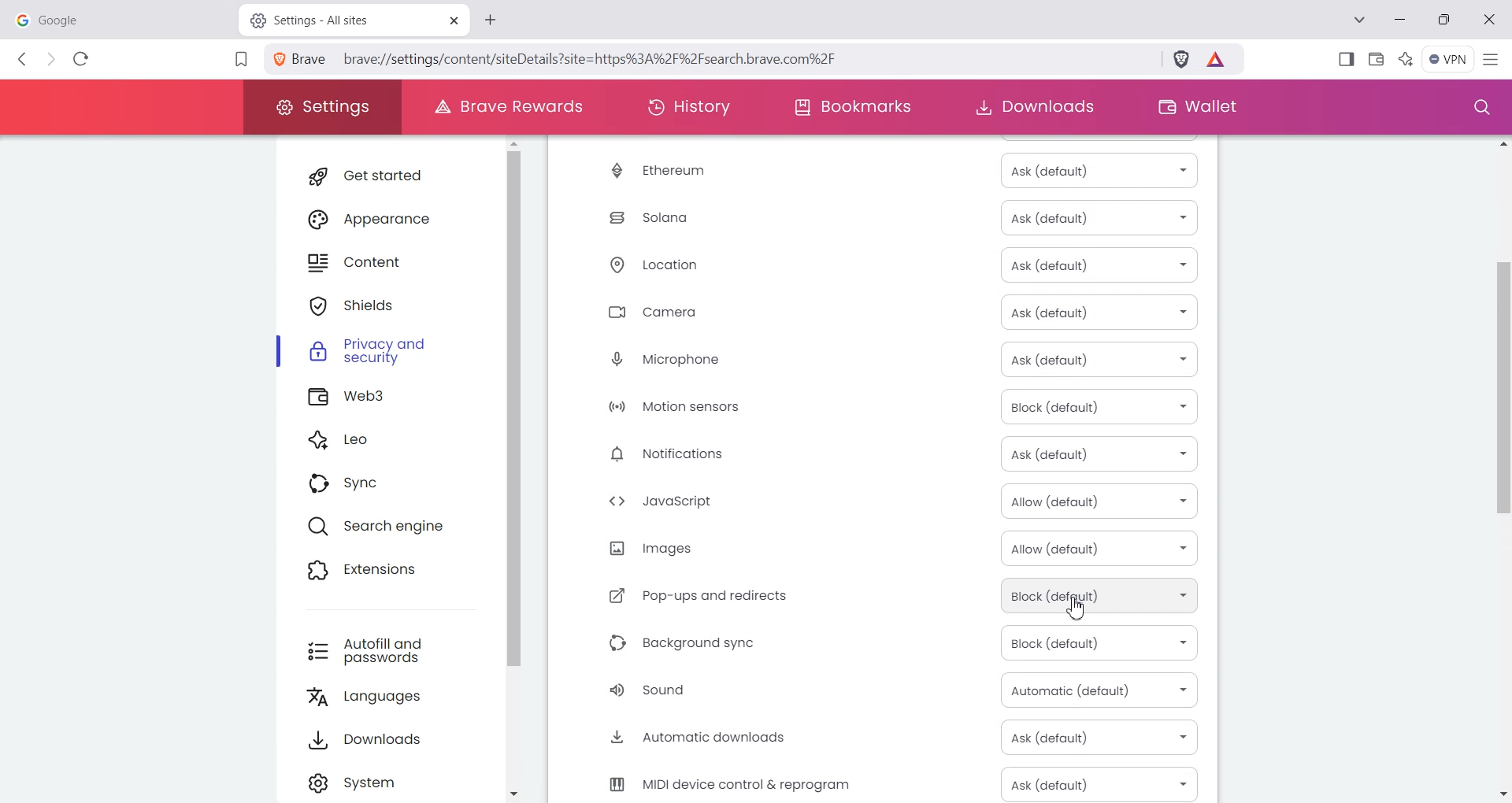 The image size is (1512, 803). Describe the element at coordinates (1502, 467) in the screenshot. I see `Vertical scroll bar` at that location.